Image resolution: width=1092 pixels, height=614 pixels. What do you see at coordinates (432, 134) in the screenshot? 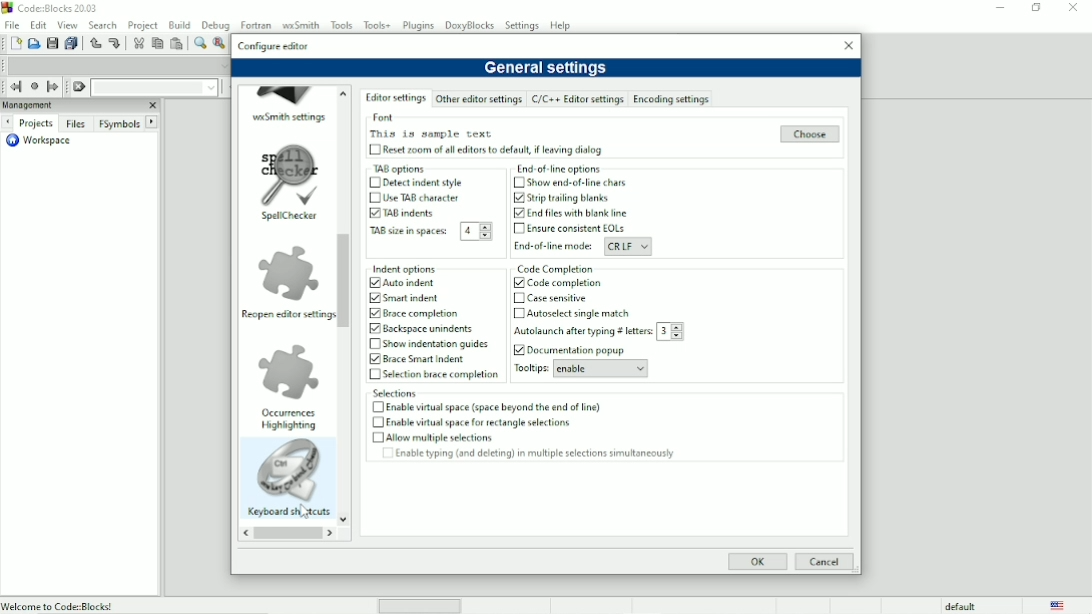
I see `This is sample text` at bounding box center [432, 134].